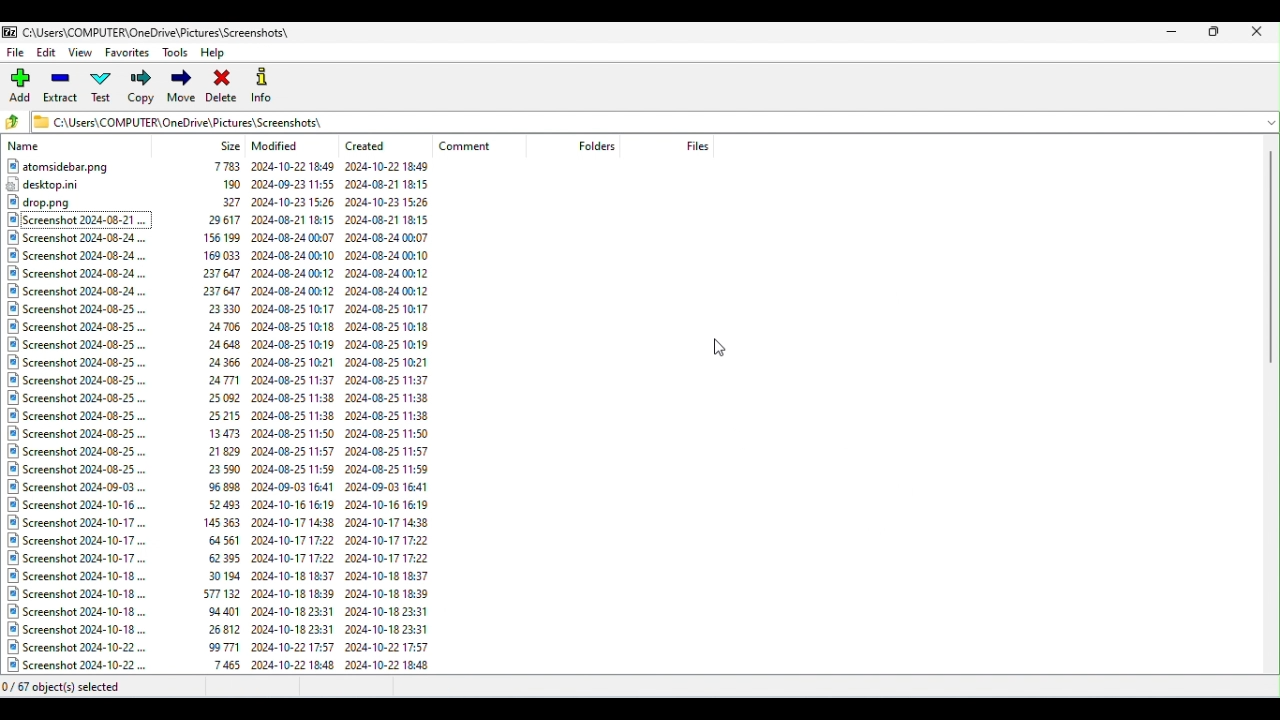 The width and height of the screenshot is (1280, 720). I want to click on Scroll bar, so click(1272, 407).